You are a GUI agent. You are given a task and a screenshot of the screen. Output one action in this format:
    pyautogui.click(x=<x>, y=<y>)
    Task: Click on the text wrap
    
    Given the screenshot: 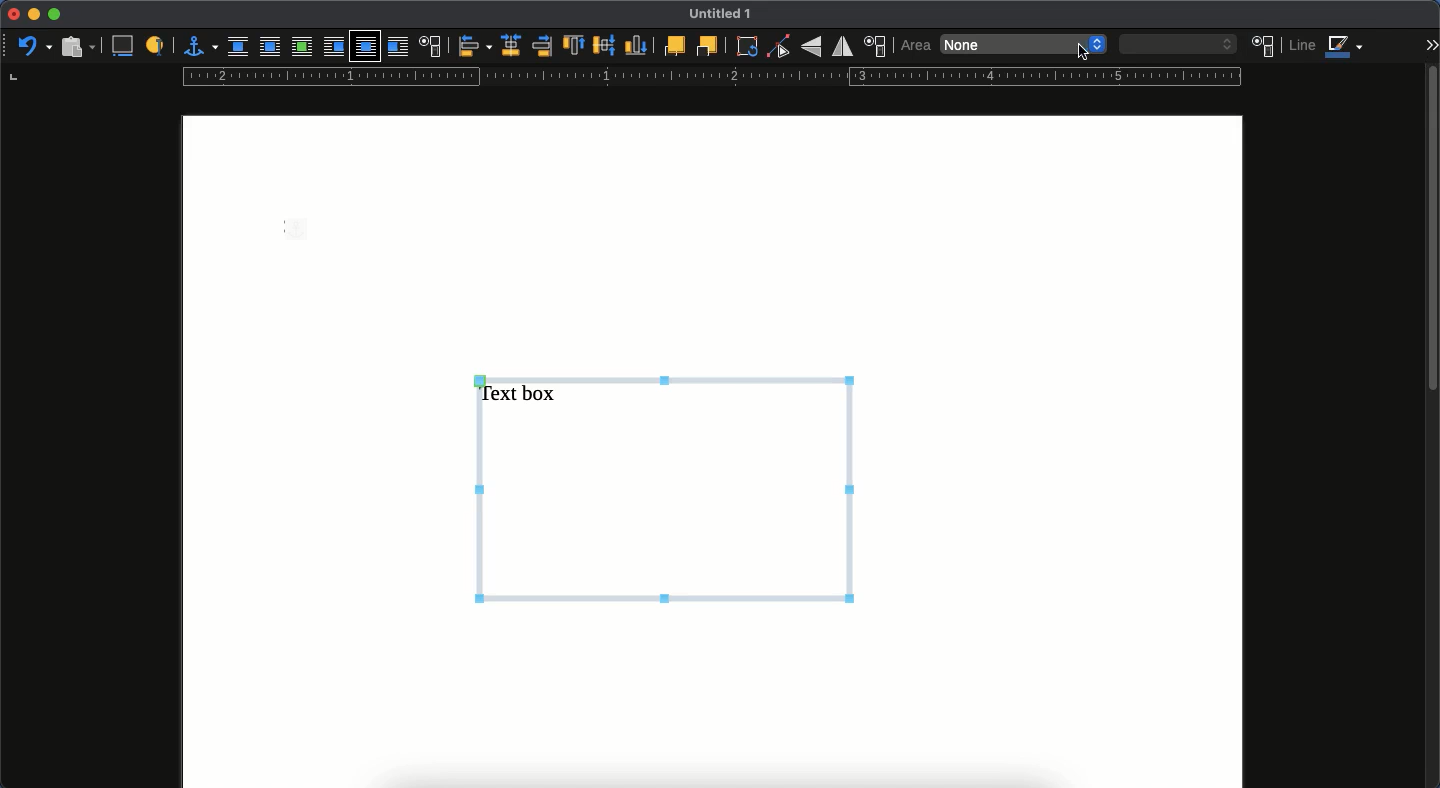 What is the action you would take?
    pyautogui.click(x=432, y=46)
    